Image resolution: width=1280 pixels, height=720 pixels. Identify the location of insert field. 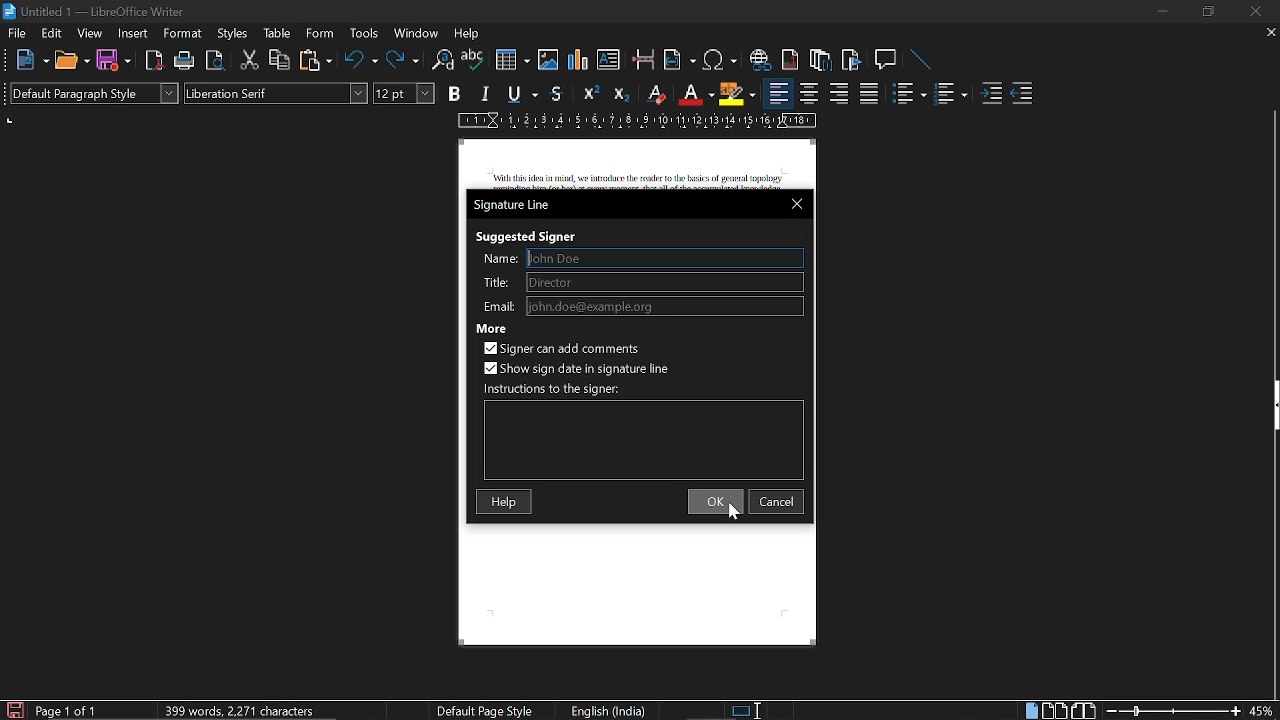
(680, 59).